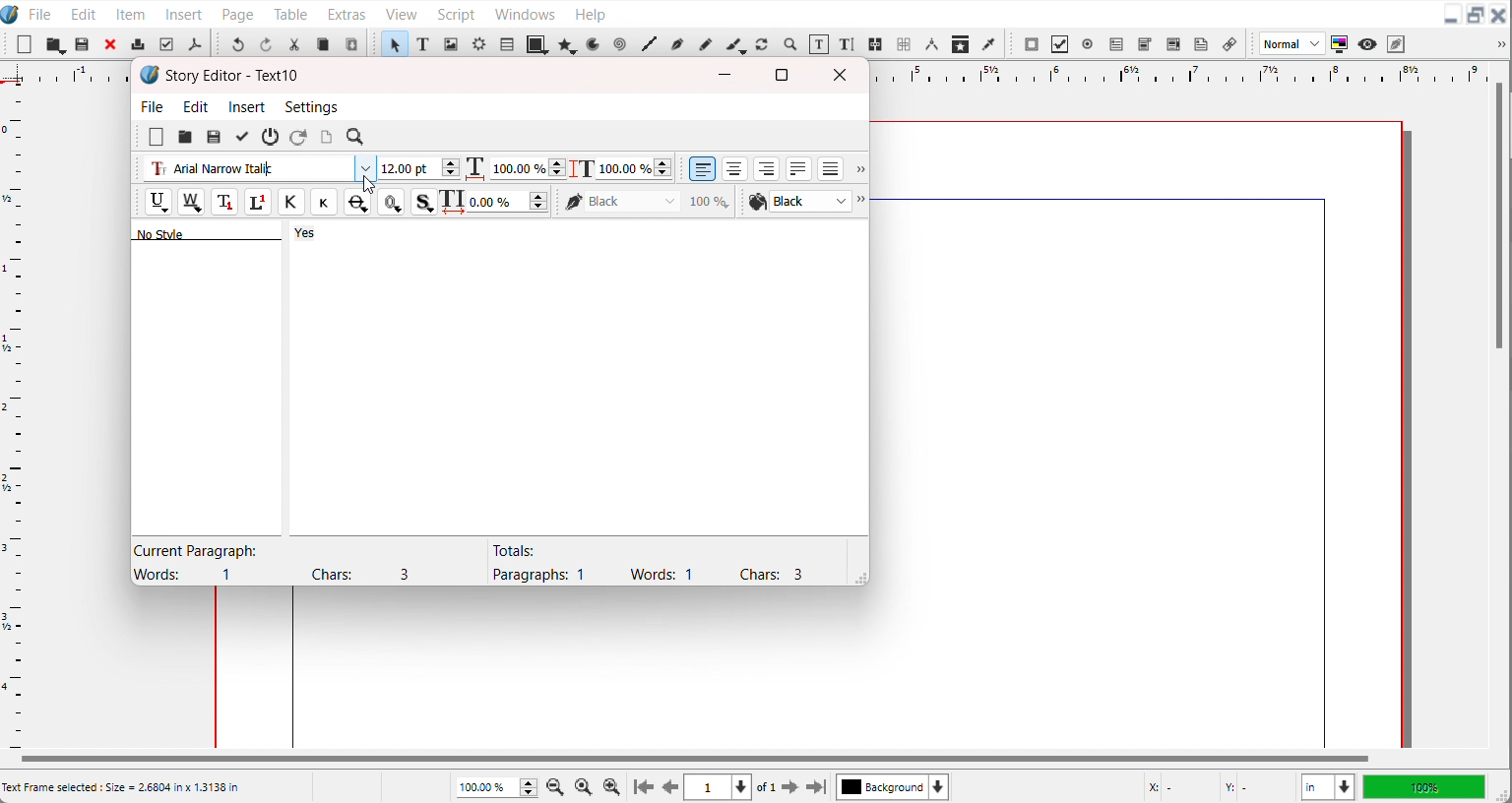  Describe the element at coordinates (779, 787) in the screenshot. I see `Go to next page` at that location.